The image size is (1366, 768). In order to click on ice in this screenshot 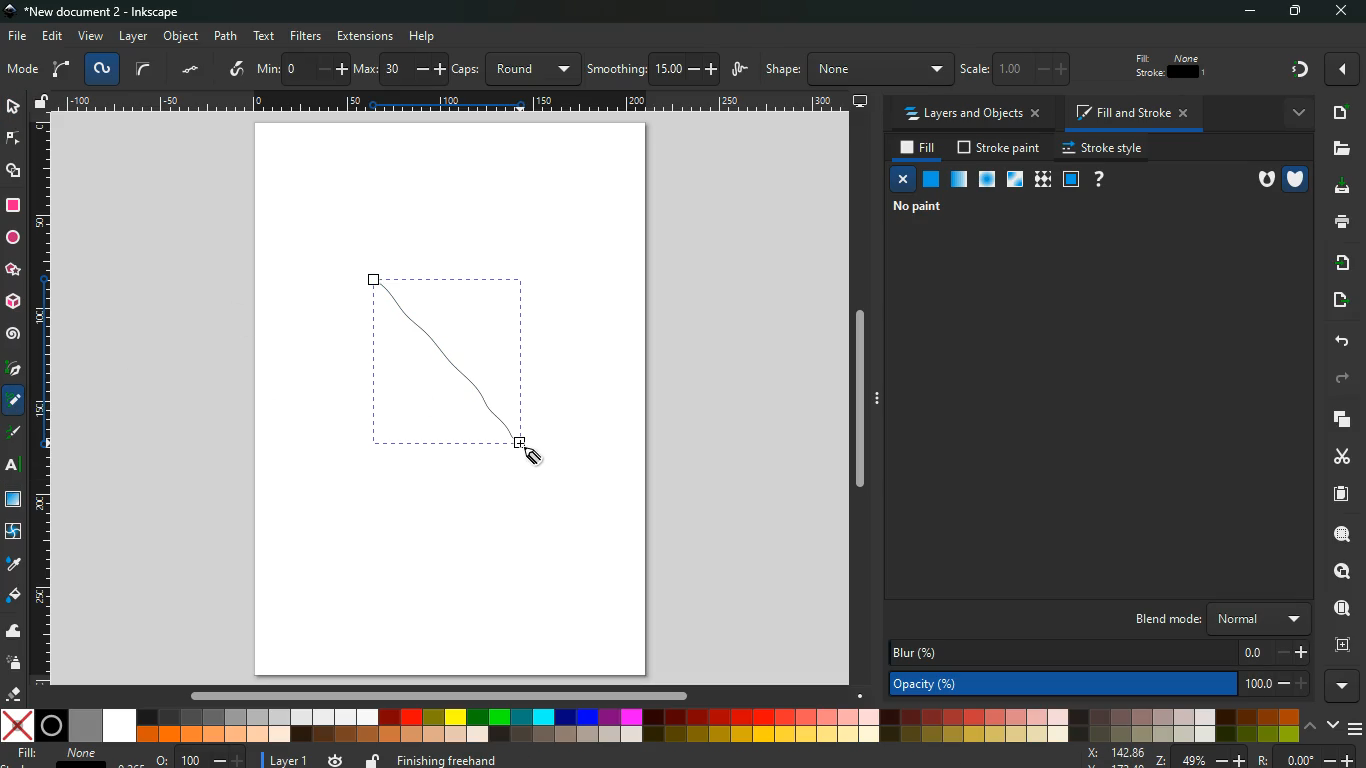, I will do `click(987, 178)`.